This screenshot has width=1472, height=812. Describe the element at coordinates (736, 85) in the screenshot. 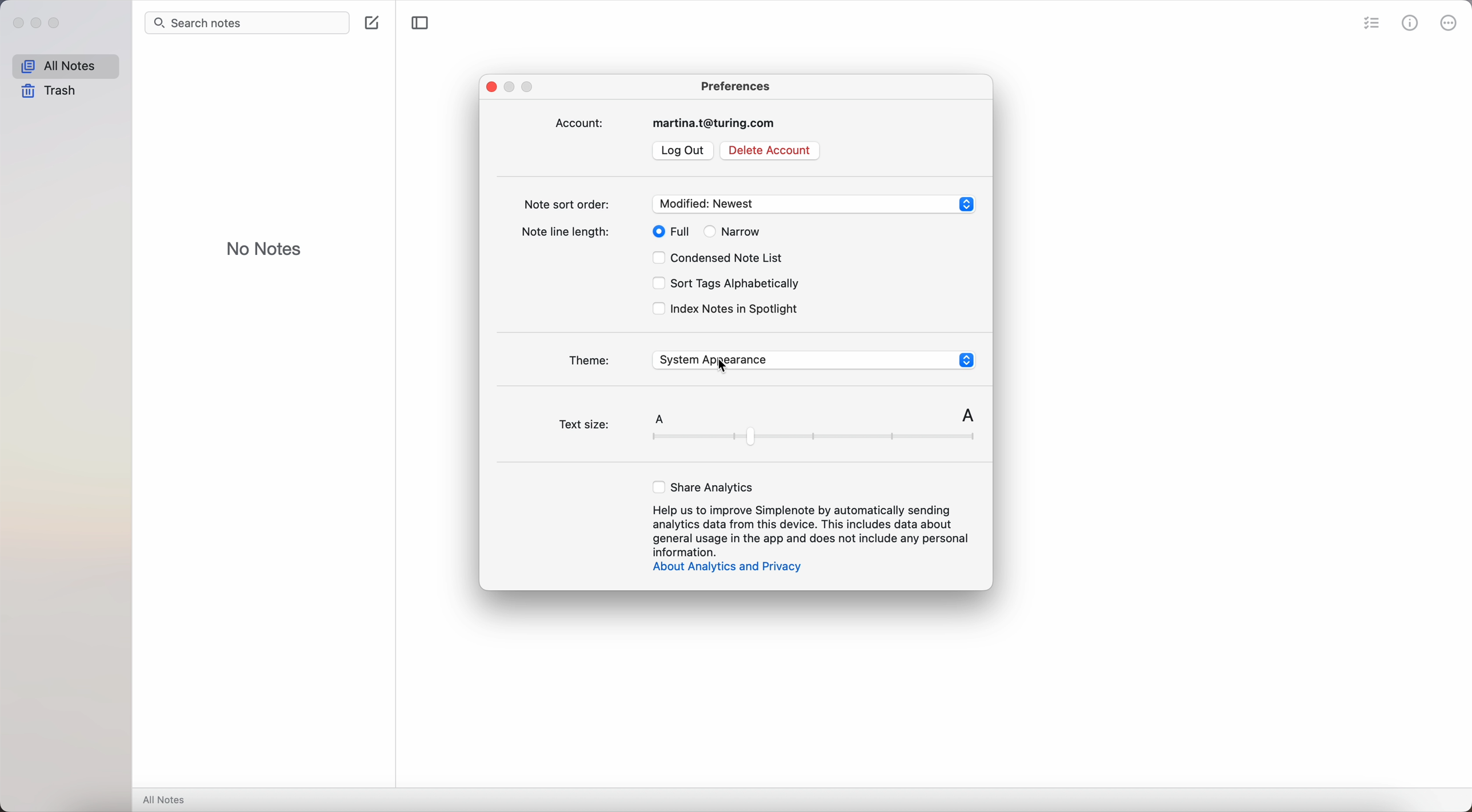

I see `preferences` at that location.